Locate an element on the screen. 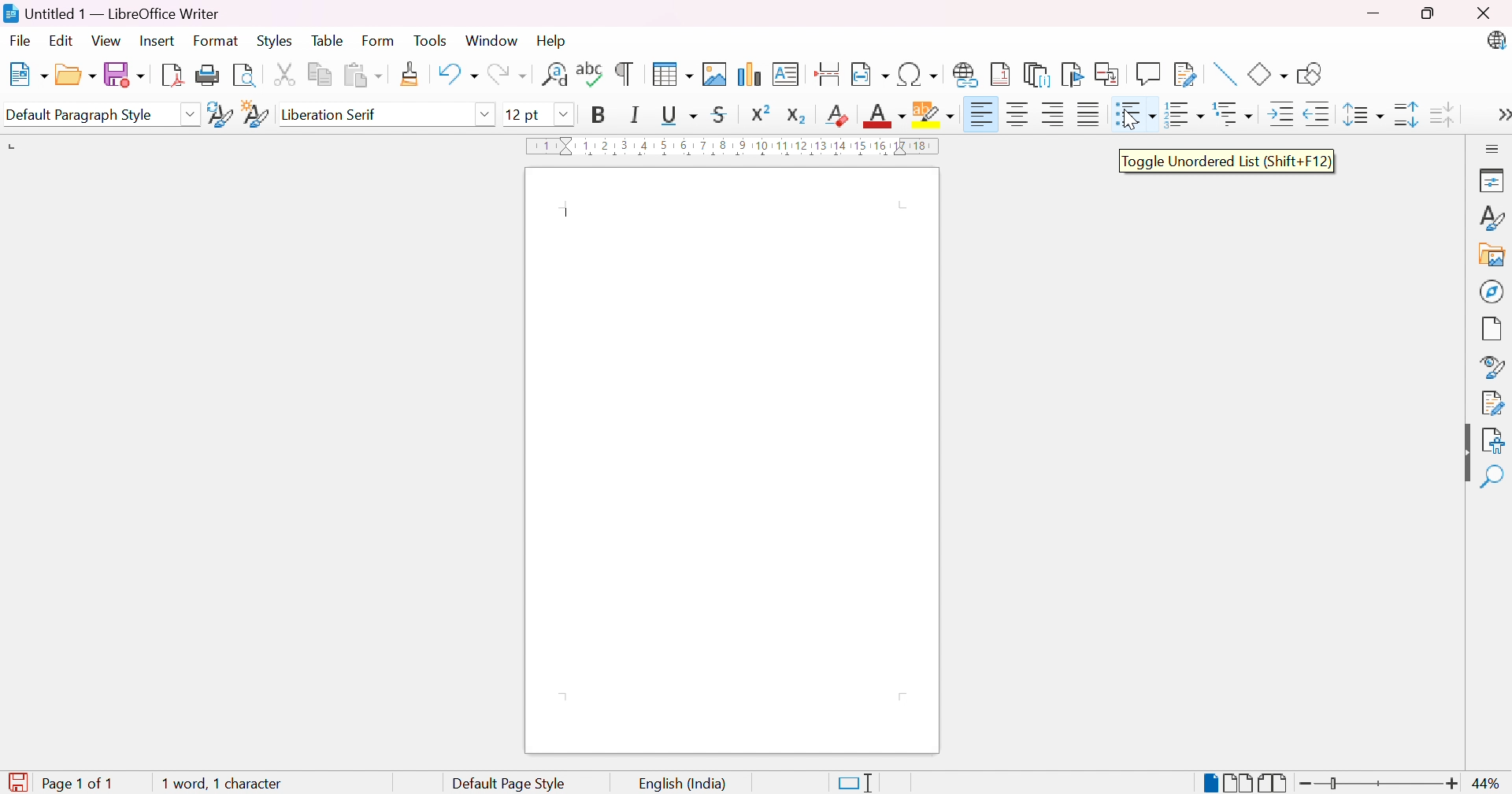 The image size is (1512, 794). Table is located at coordinates (328, 39).